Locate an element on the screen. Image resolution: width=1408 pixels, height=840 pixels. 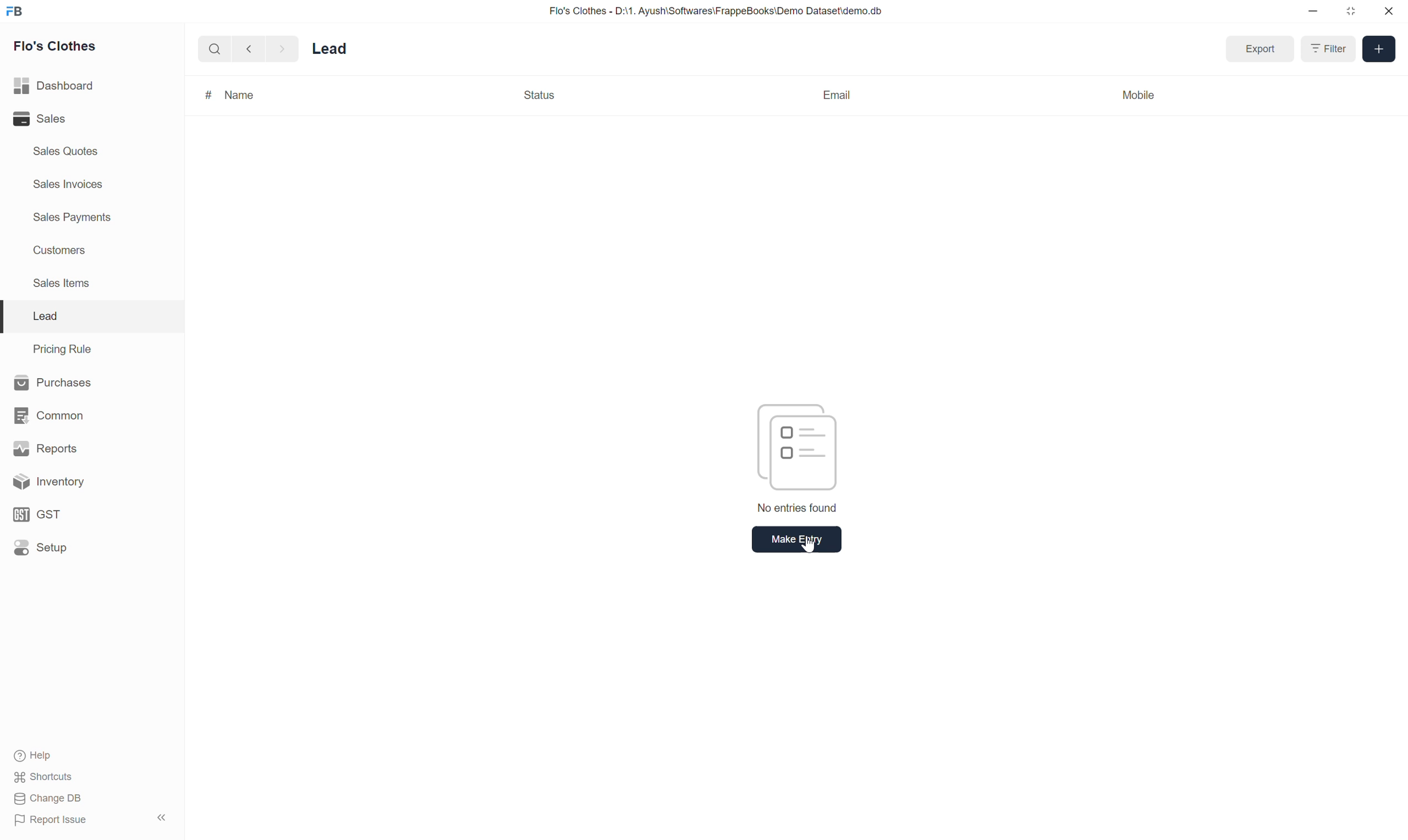
Purchases is located at coordinates (53, 382).